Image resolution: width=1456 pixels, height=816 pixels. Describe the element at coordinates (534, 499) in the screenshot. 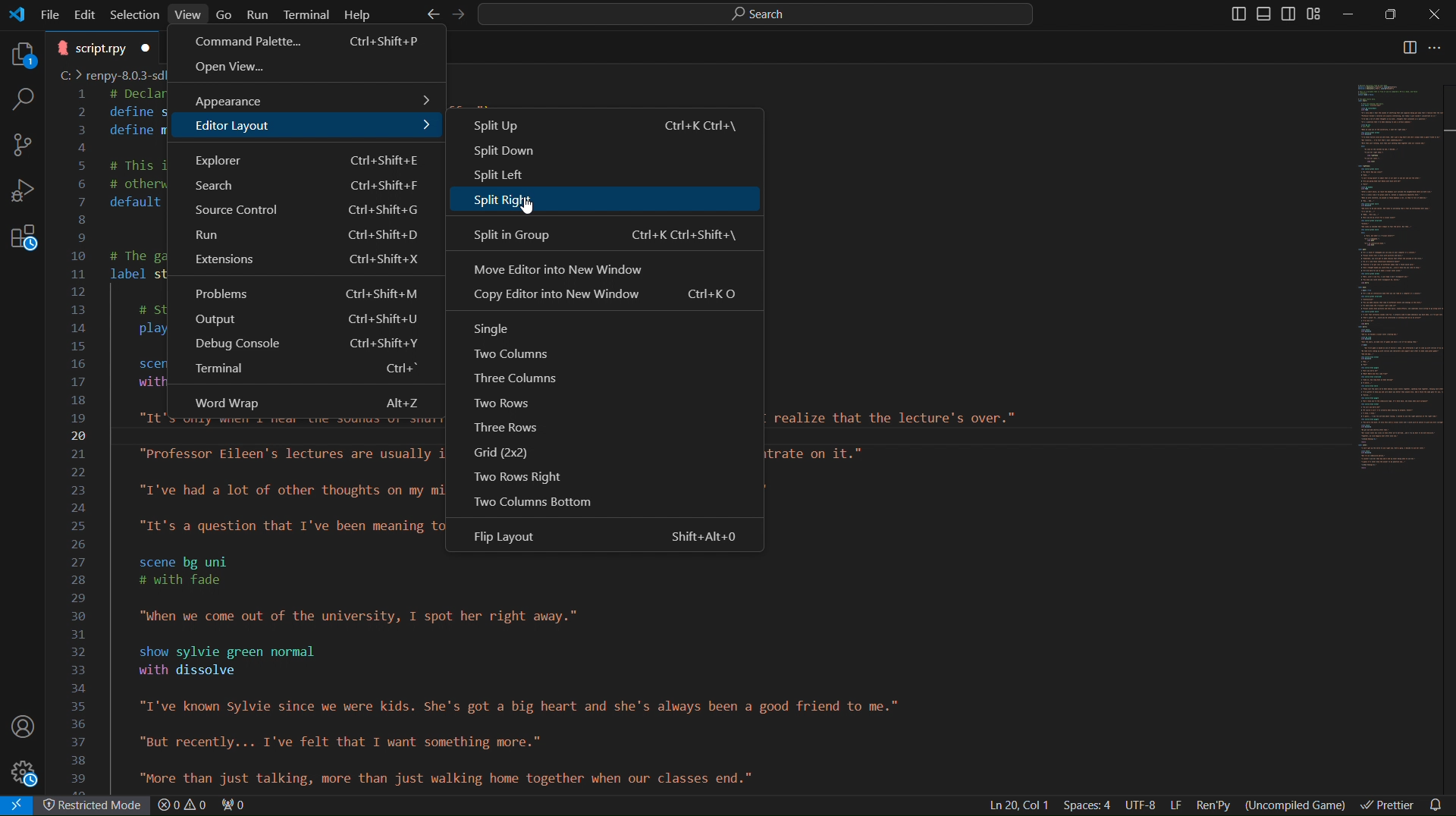

I see `Two Column Bottom` at that location.